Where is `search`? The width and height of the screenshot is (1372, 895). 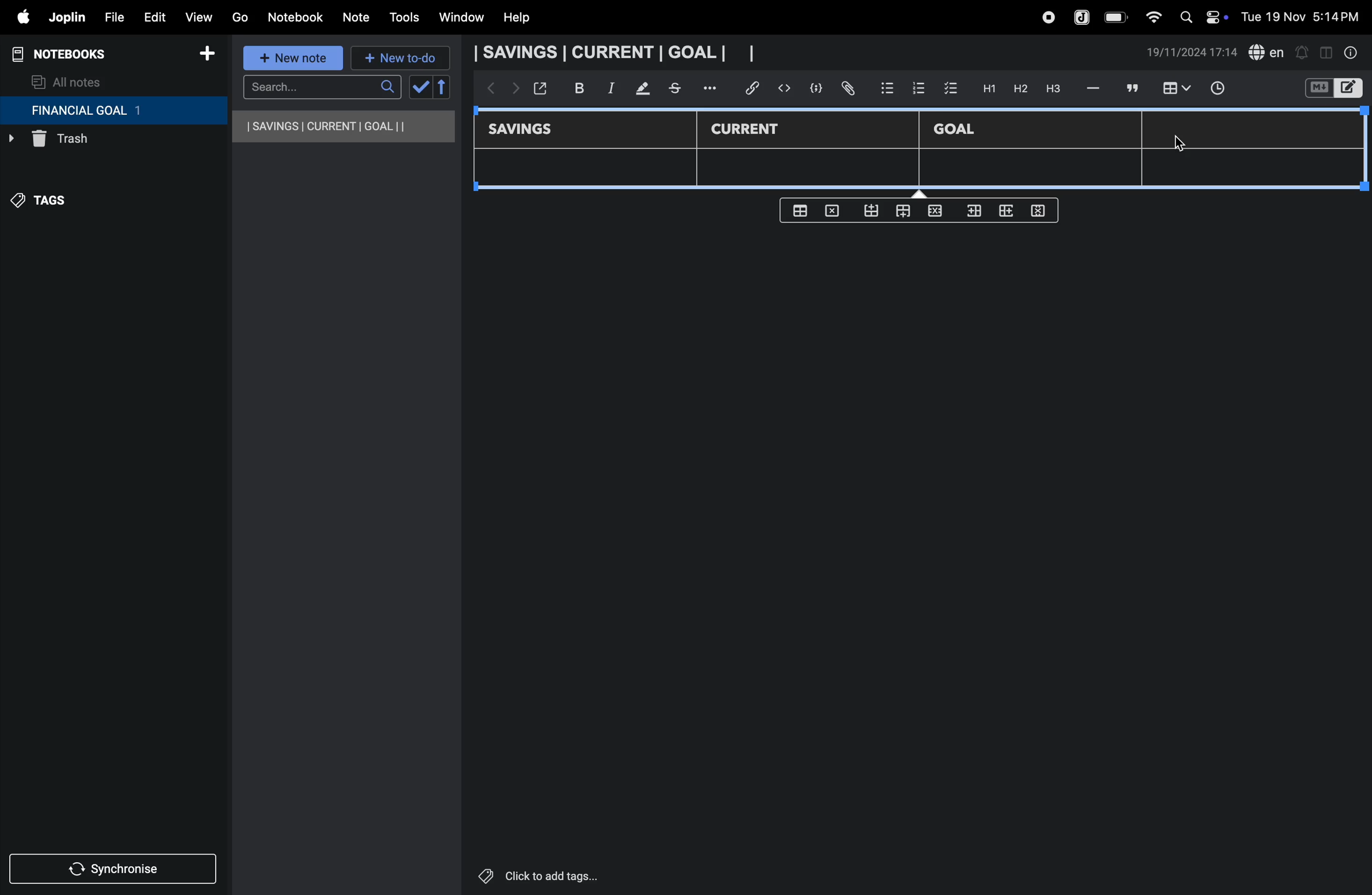 search is located at coordinates (322, 87).